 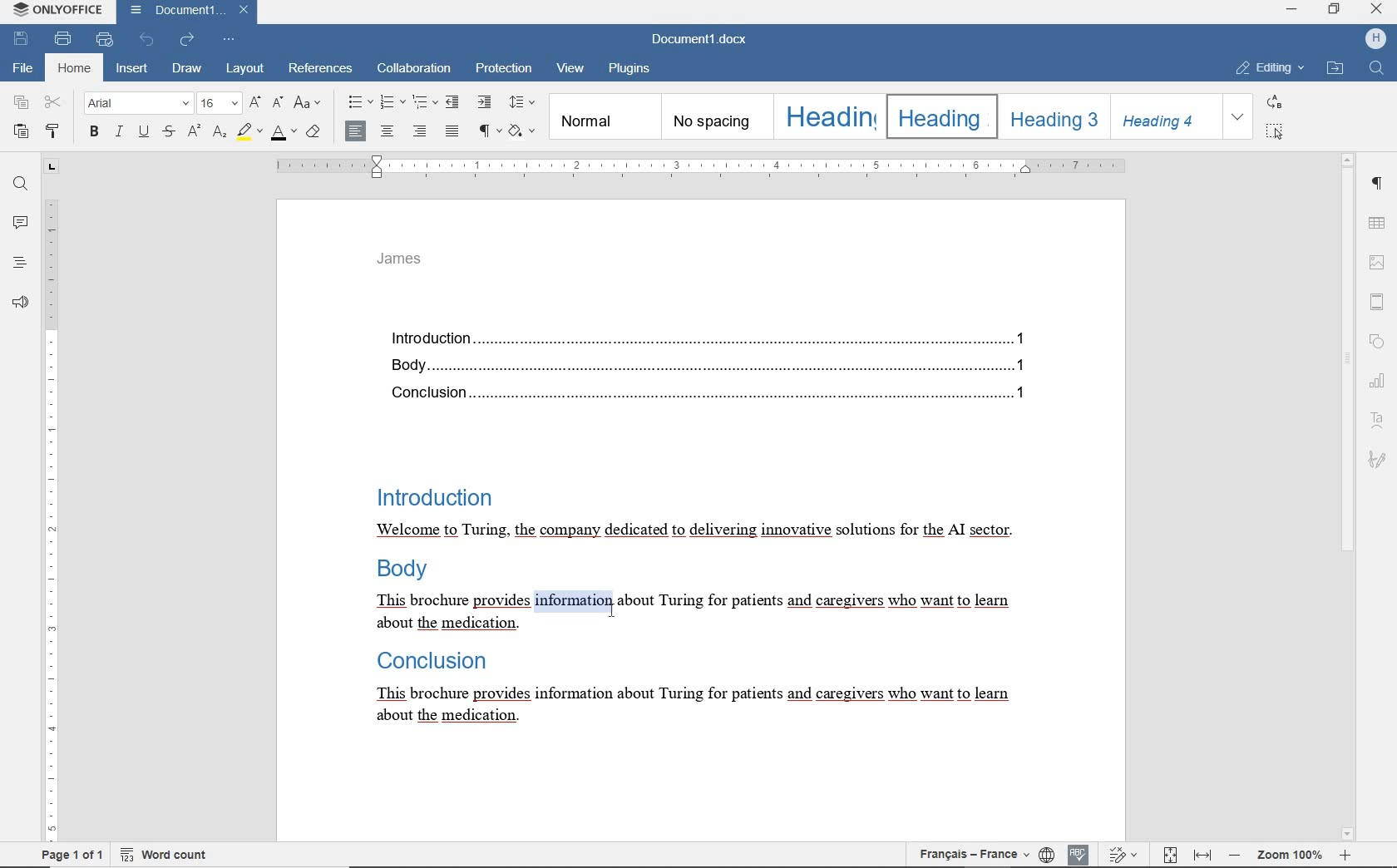 I want to click on CUT, so click(x=54, y=103).